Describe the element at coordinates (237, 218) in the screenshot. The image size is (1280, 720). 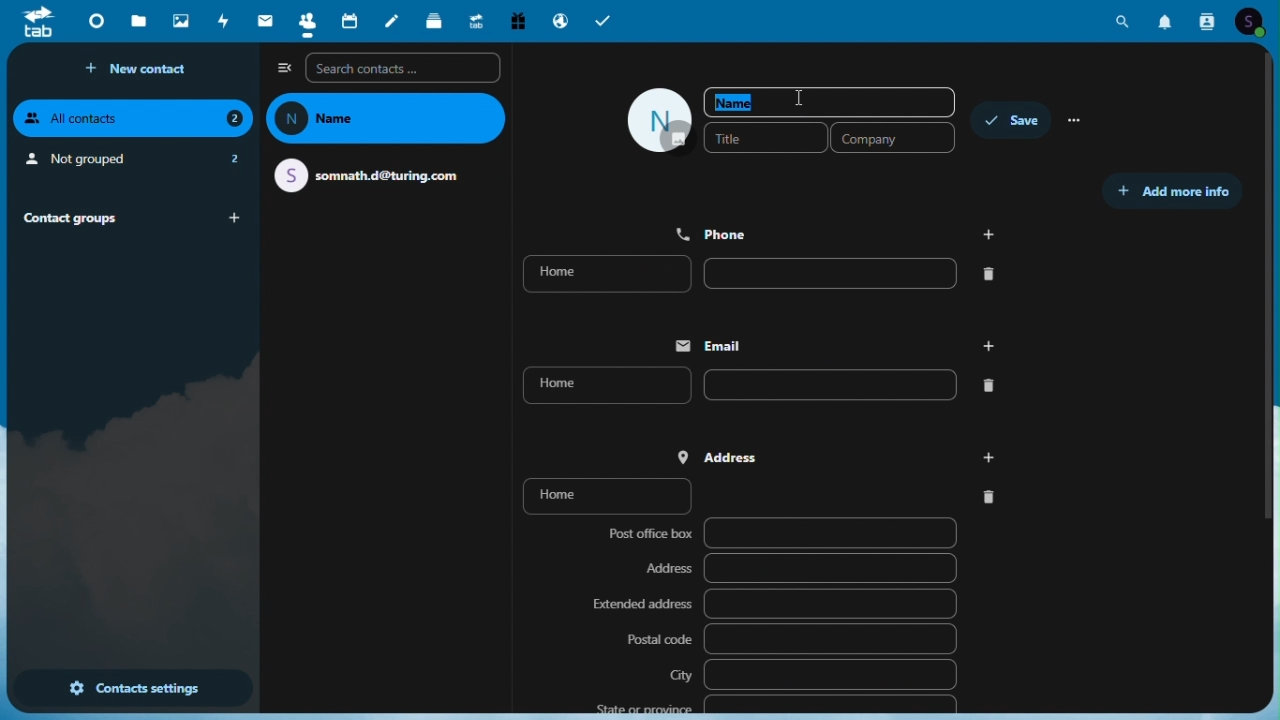
I see `add group` at that location.